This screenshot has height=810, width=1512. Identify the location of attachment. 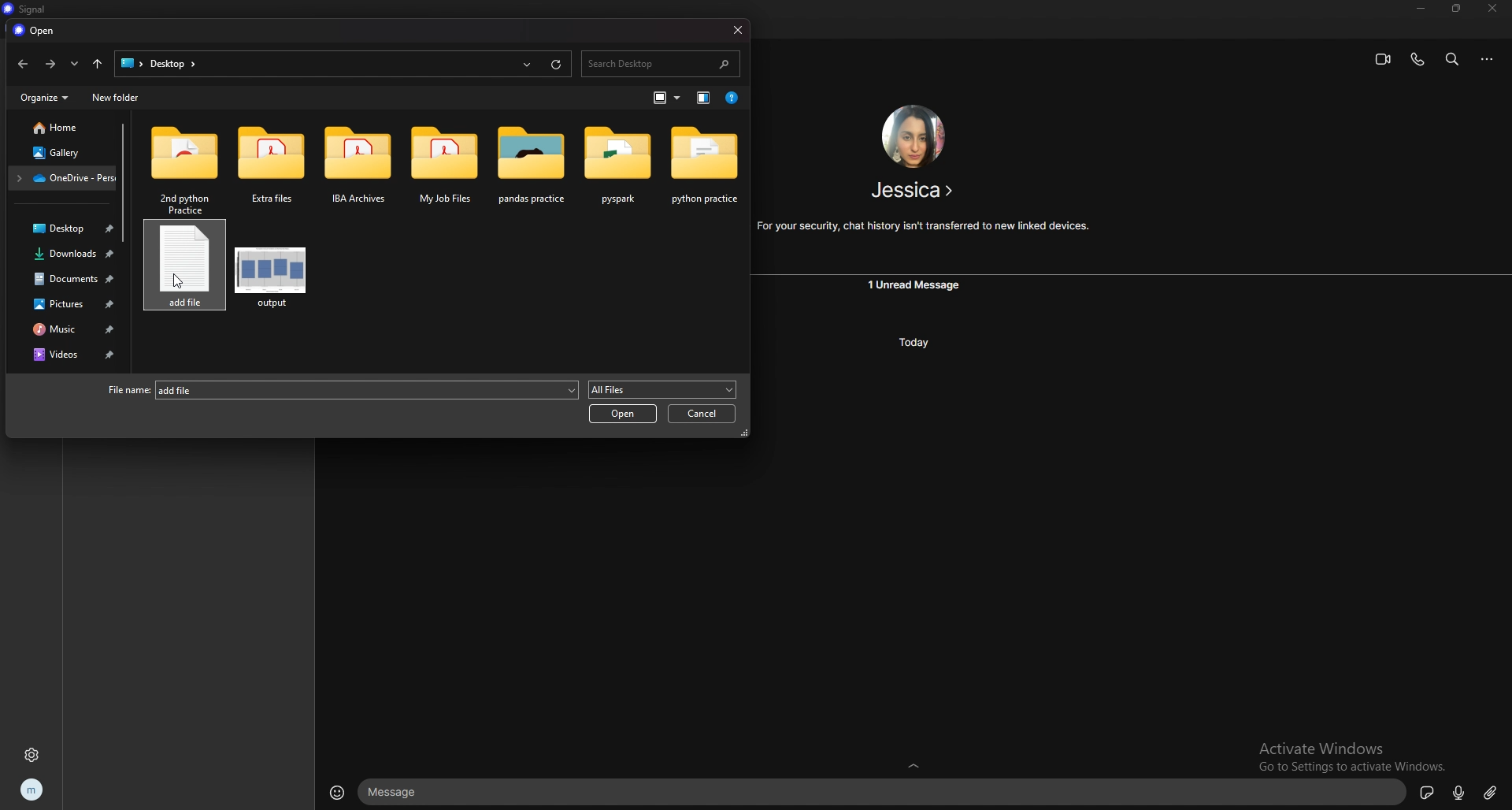
(1490, 793).